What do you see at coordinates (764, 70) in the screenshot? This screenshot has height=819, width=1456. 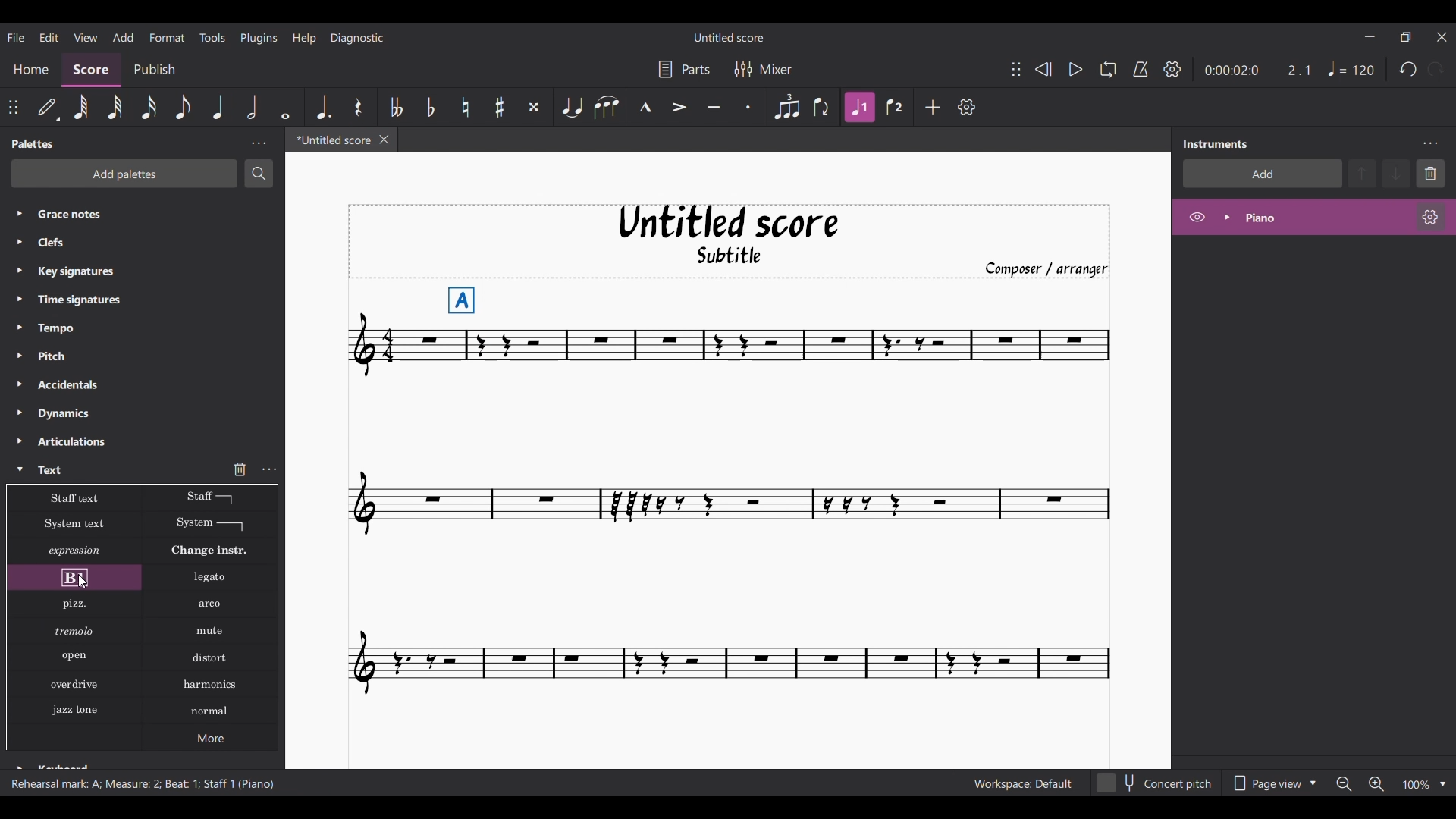 I see `Mixer settings` at bounding box center [764, 70].